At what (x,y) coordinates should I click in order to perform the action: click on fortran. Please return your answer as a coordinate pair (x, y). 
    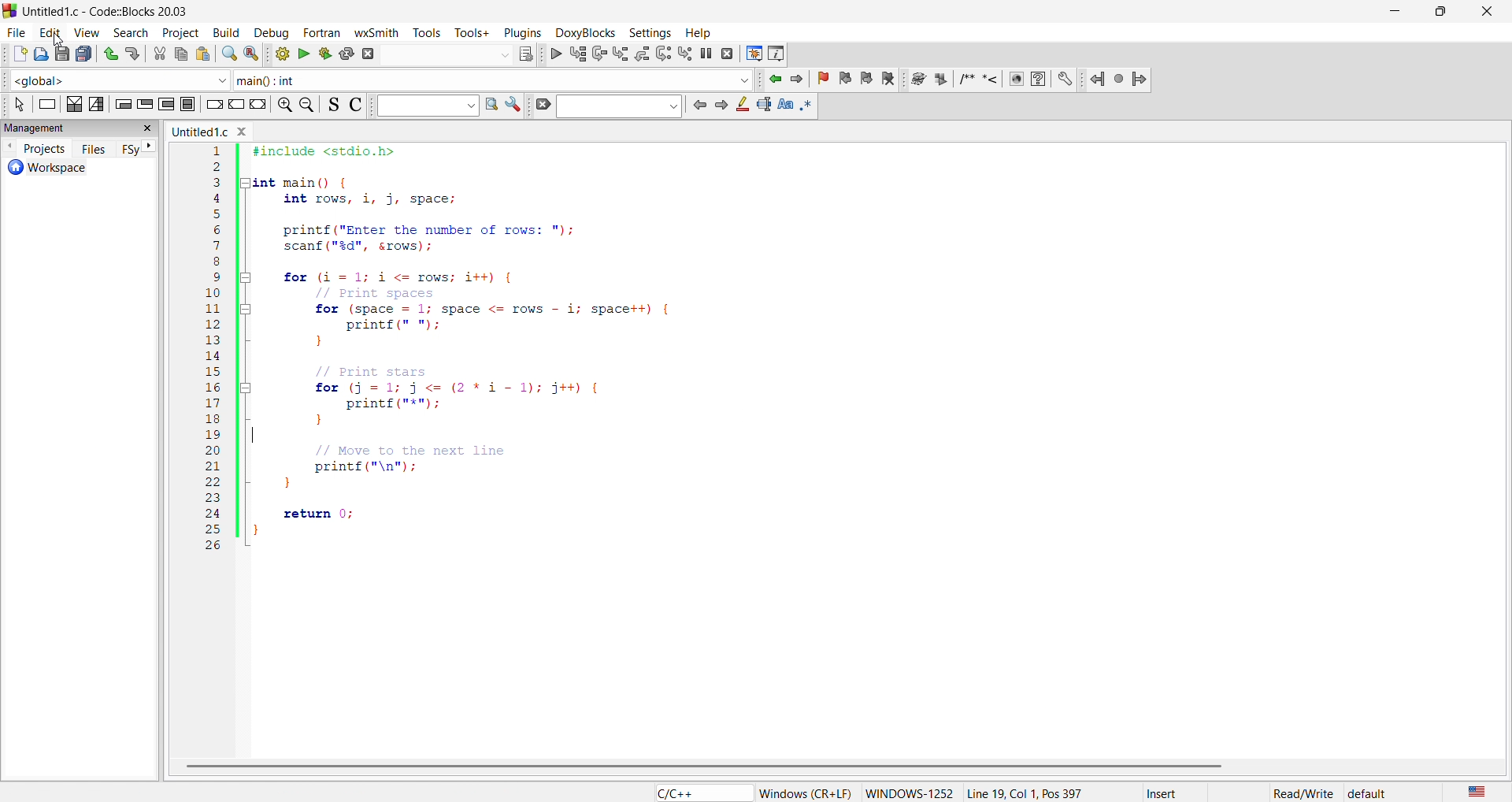
    Looking at the image, I should click on (321, 32).